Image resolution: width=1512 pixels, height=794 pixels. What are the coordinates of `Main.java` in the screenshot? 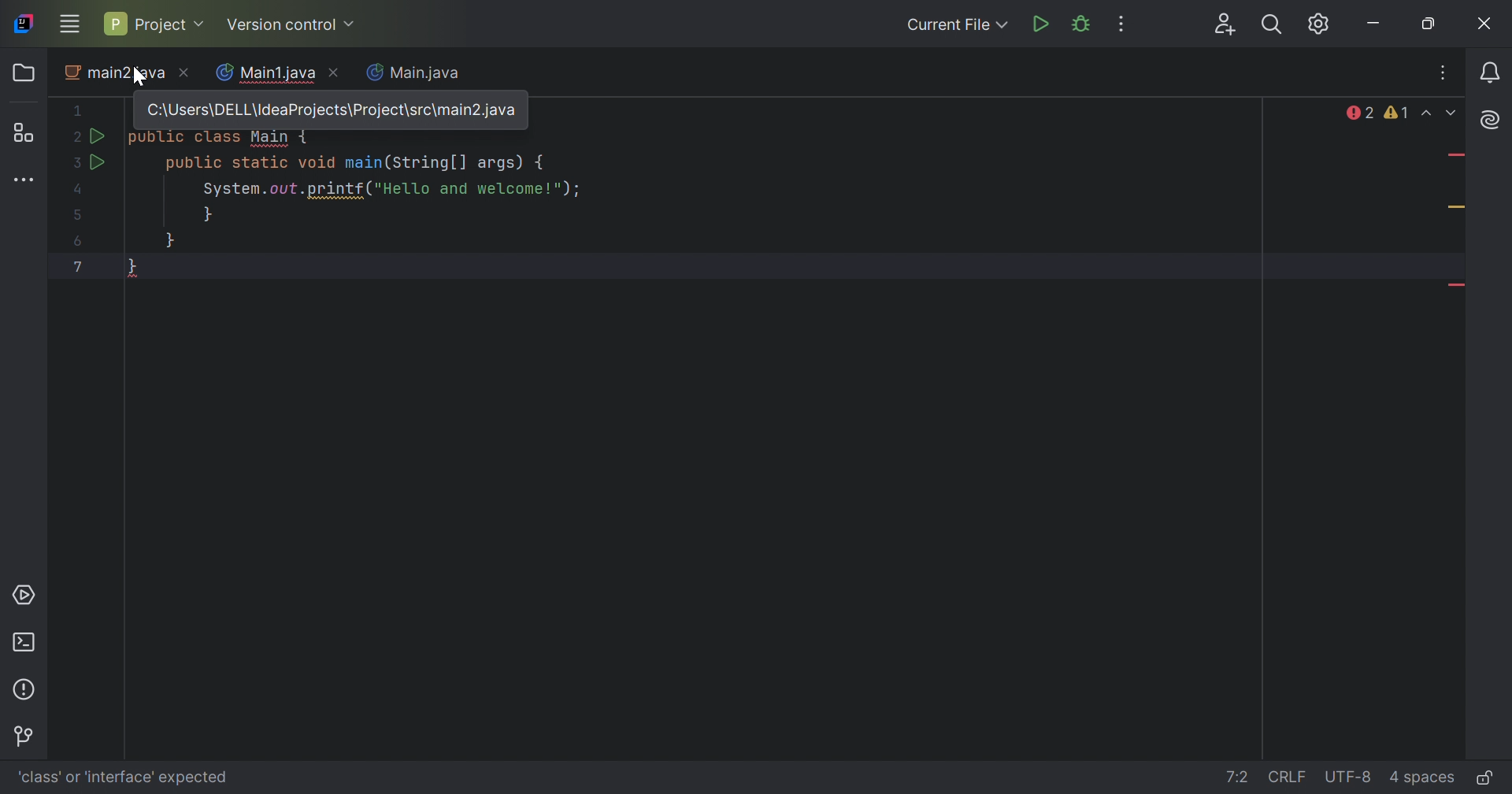 It's located at (419, 74).